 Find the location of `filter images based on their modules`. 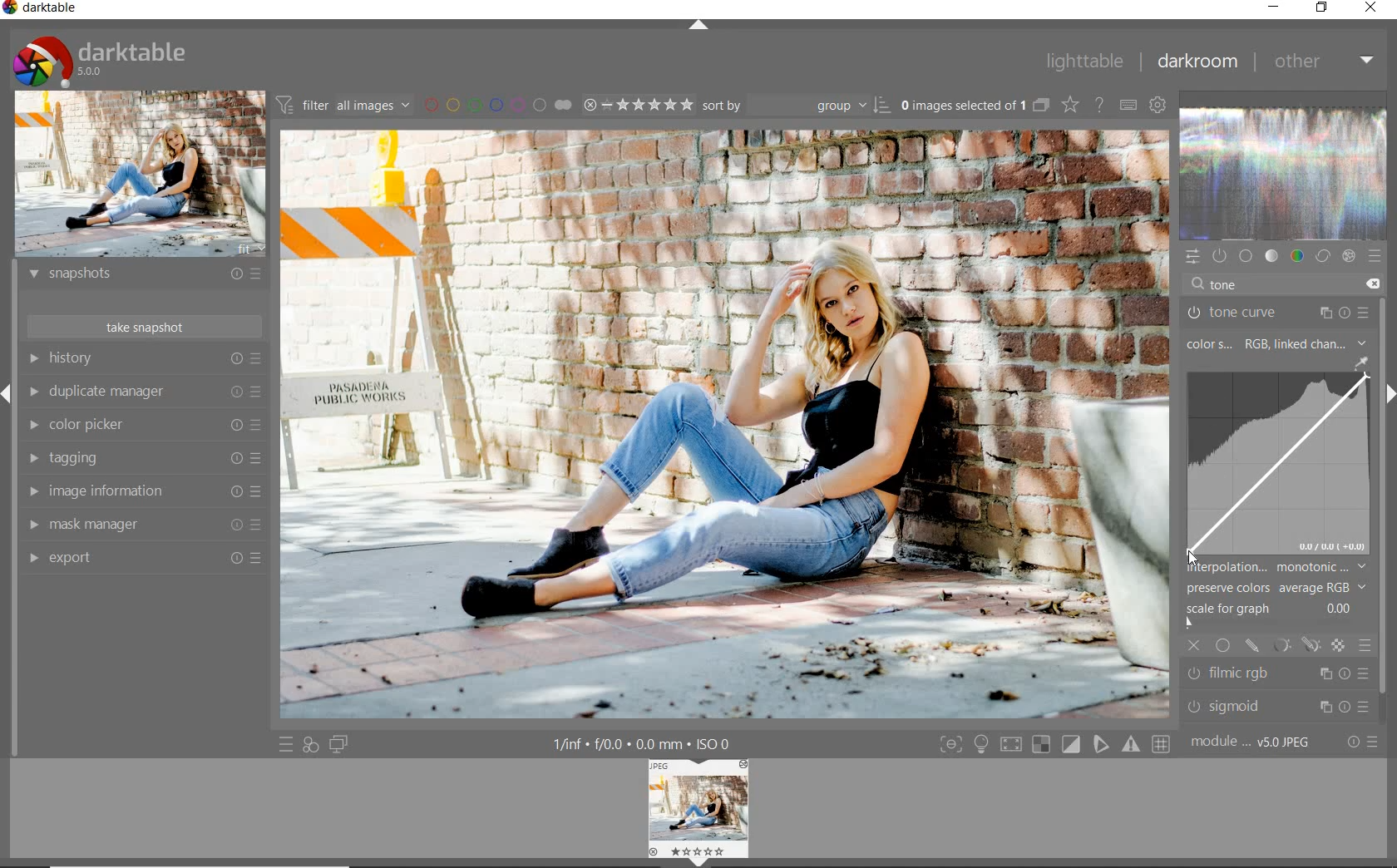

filter images based on their modules is located at coordinates (346, 106).